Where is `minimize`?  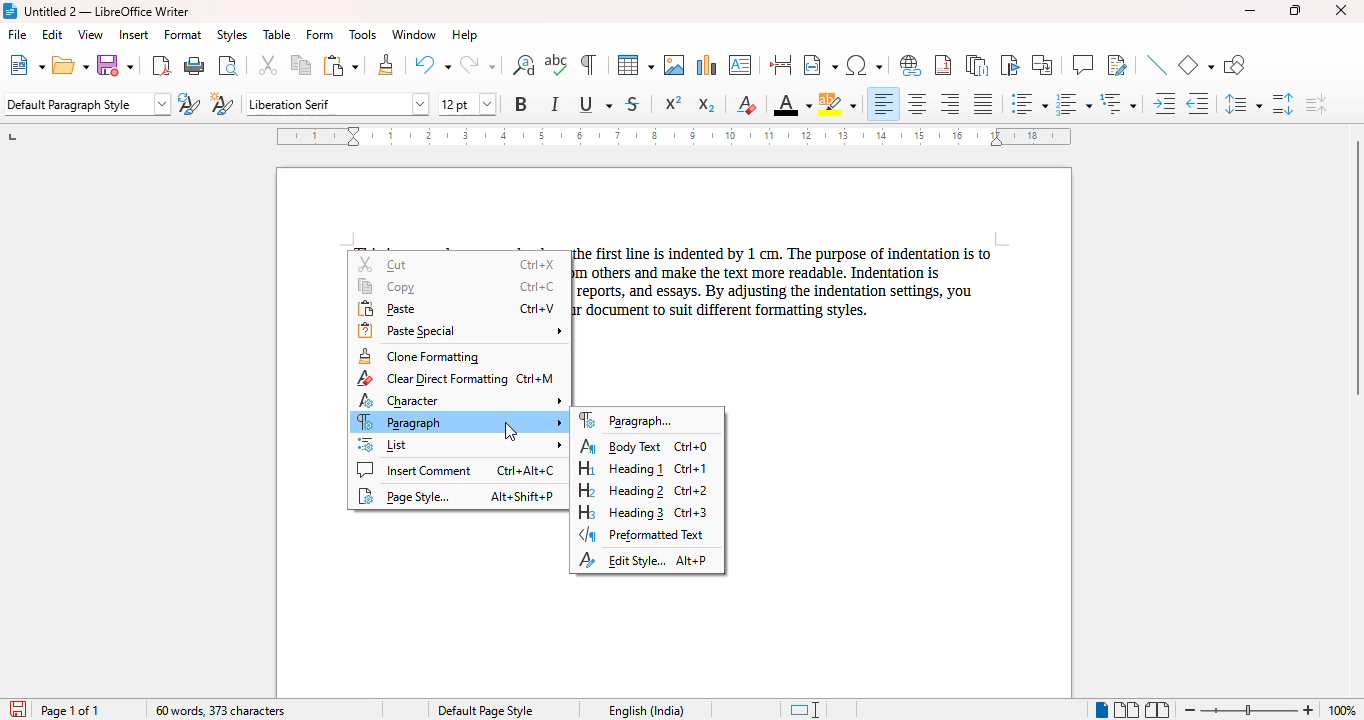 minimize is located at coordinates (1251, 11).